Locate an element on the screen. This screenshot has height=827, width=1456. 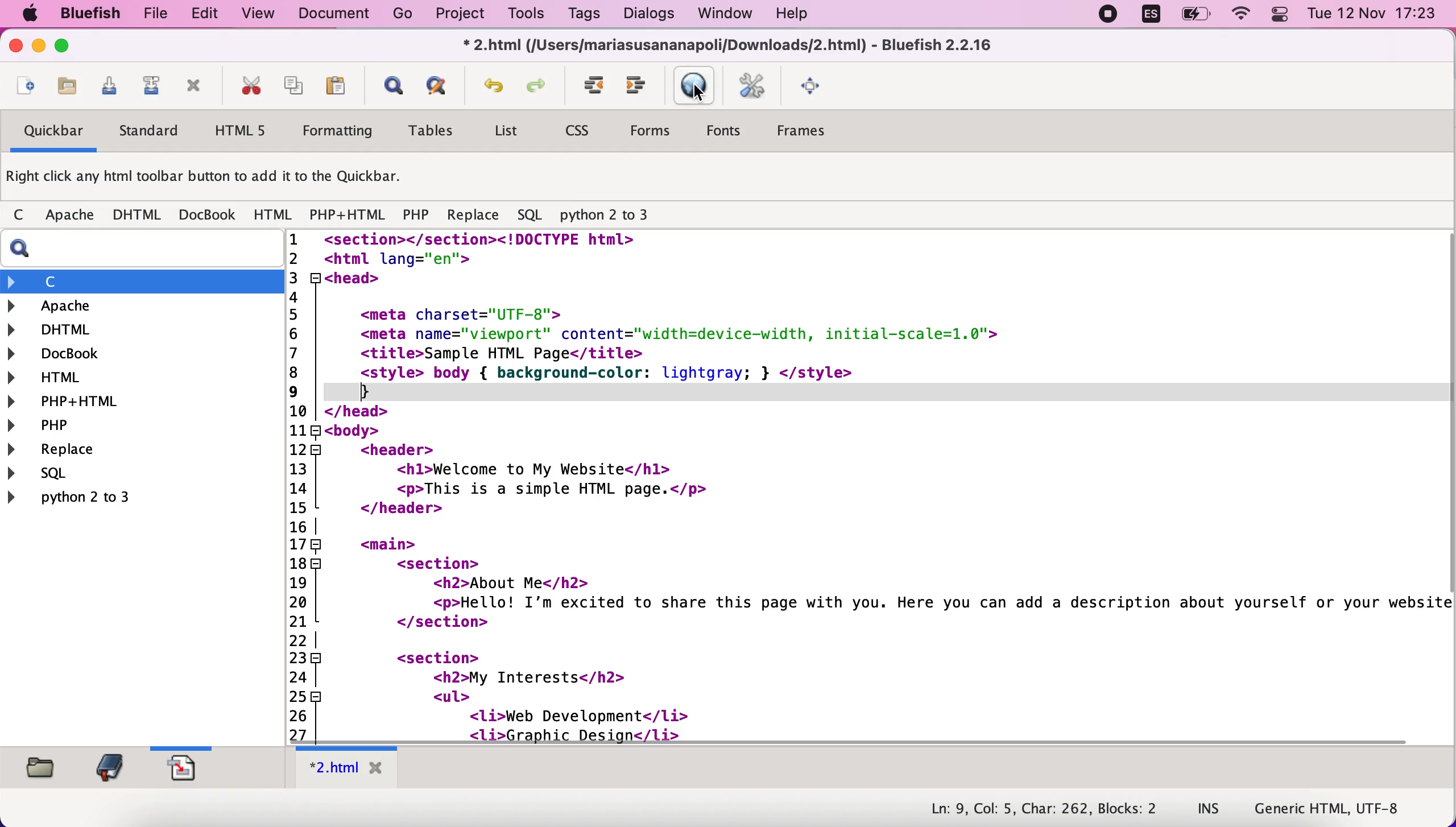
save current file is located at coordinates (111, 86).